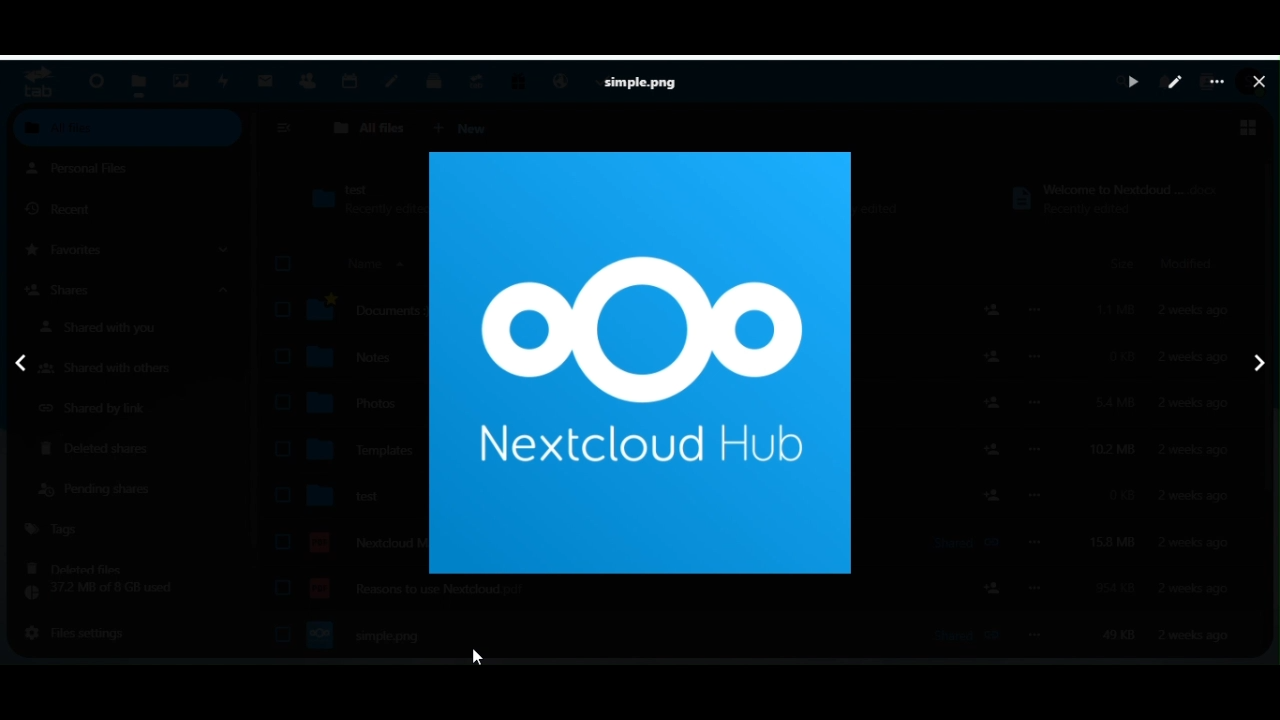 The width and height of the screenshot is (1280, 720). I want to click on Slideshow, so click(1132, 81).